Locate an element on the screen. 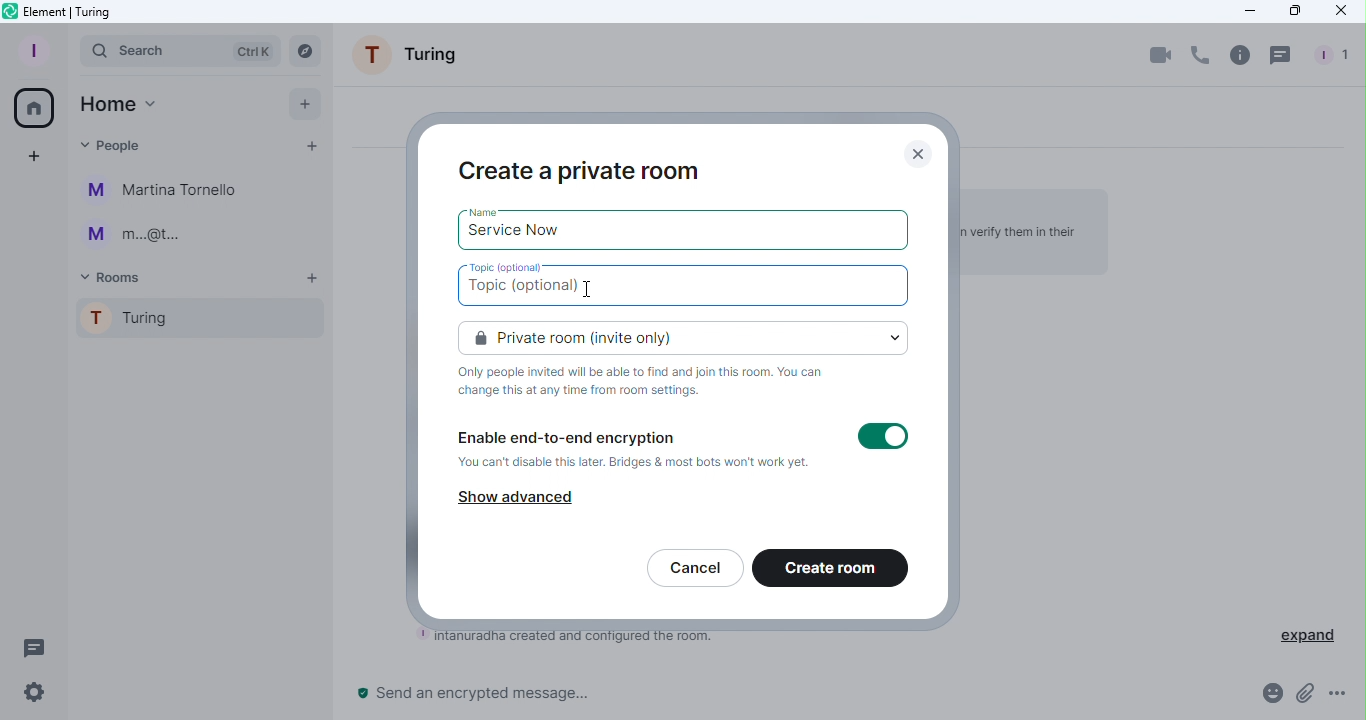 The height and width of the screenshot is (720, 1366). Emoji is located at coordinates (1268, 697).